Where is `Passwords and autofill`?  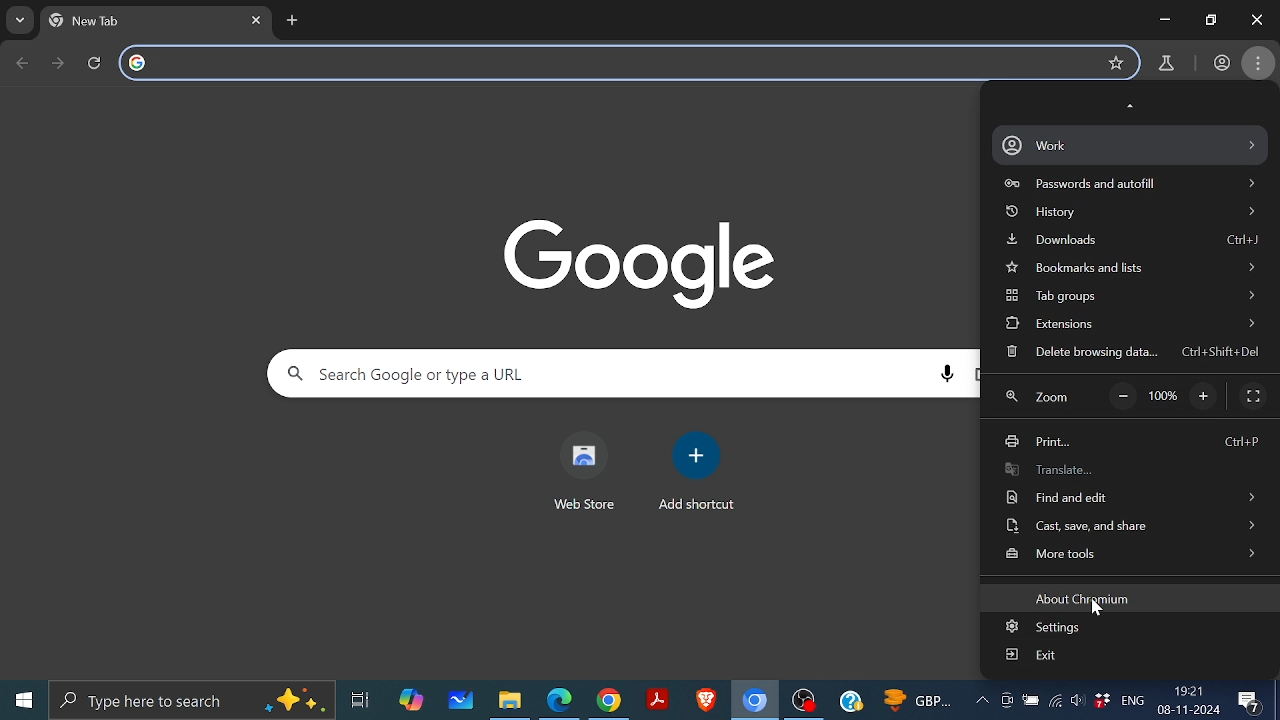
Passwords and autofill is located at coordinates (1129, 183).